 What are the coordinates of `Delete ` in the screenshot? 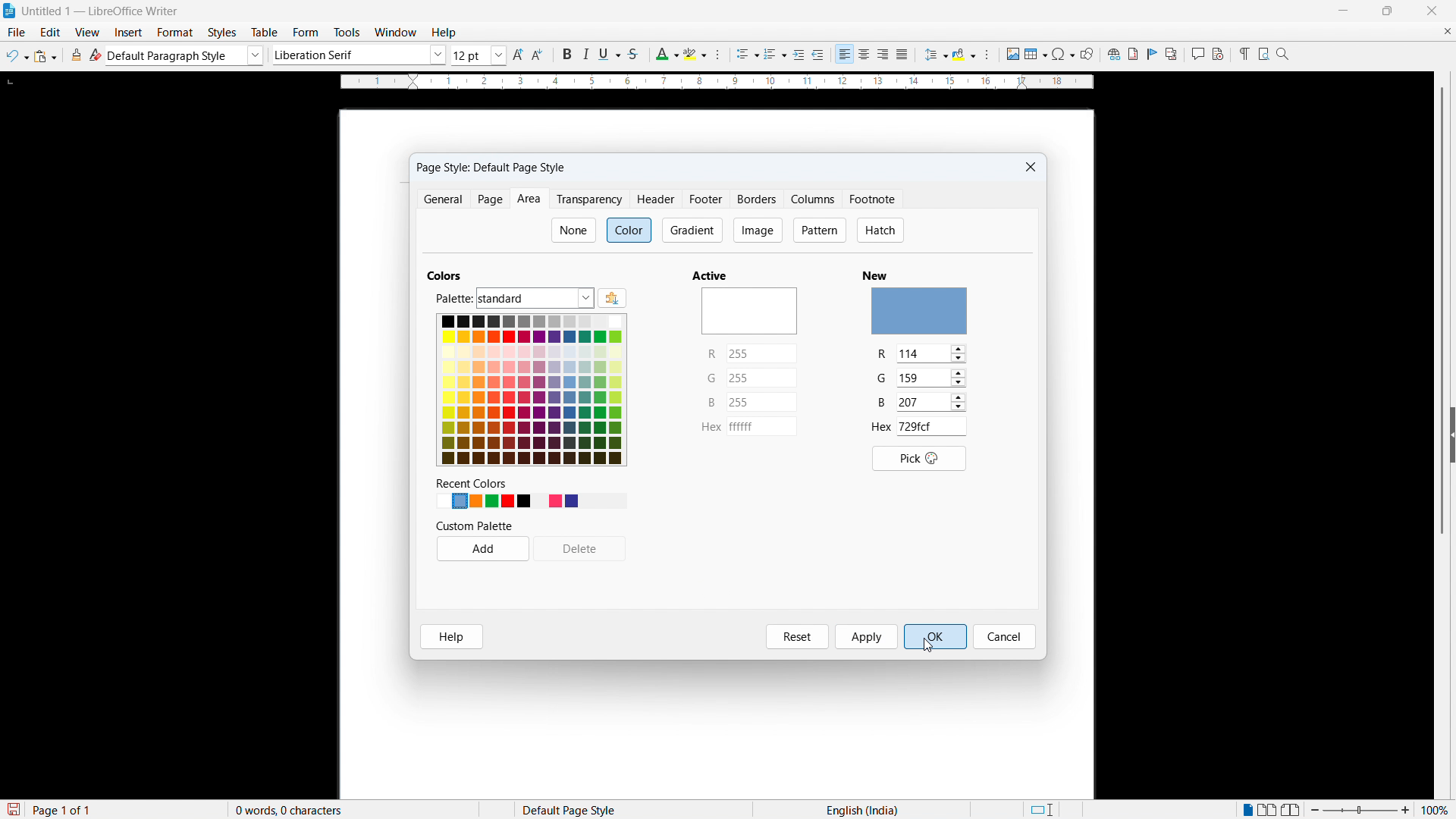 It's located at (580, 550).